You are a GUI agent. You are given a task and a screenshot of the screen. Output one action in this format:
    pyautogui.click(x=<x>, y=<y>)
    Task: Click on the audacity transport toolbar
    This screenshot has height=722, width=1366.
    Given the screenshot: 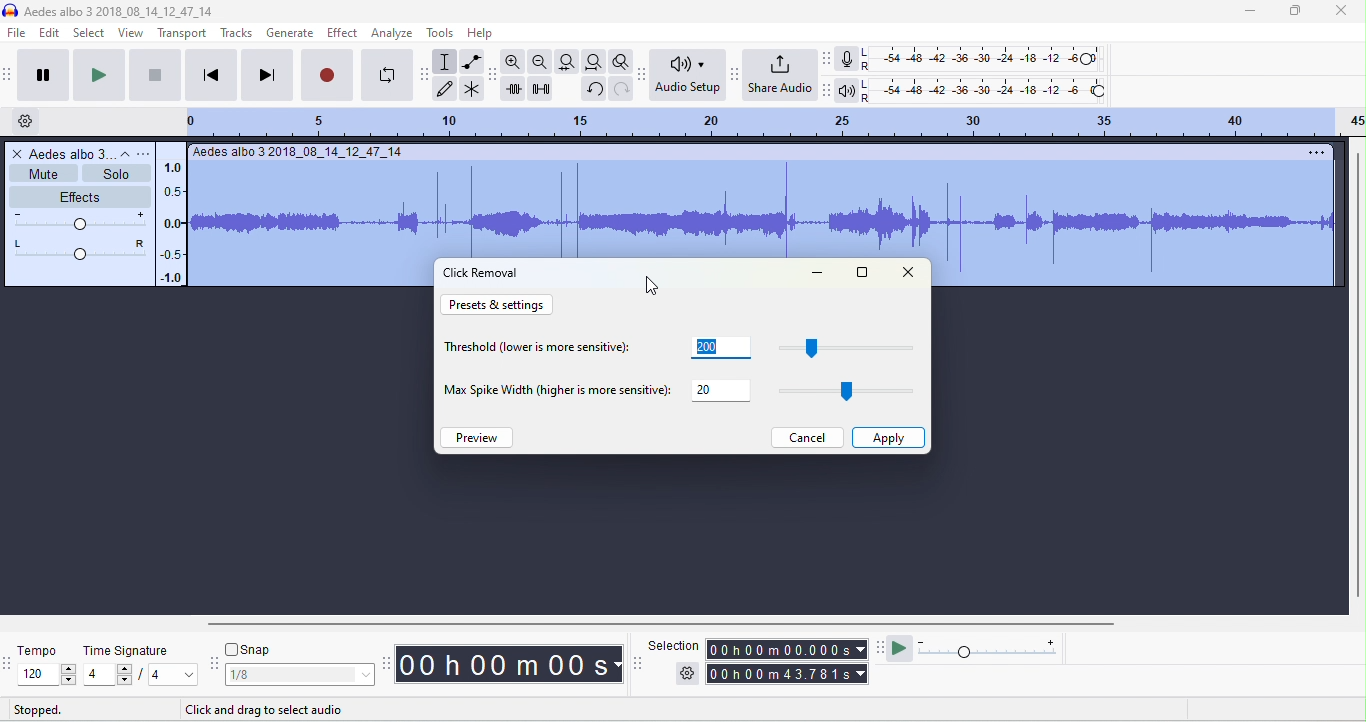 What is the action you would take?
    pyautogui.click(x=9, y=72)
    